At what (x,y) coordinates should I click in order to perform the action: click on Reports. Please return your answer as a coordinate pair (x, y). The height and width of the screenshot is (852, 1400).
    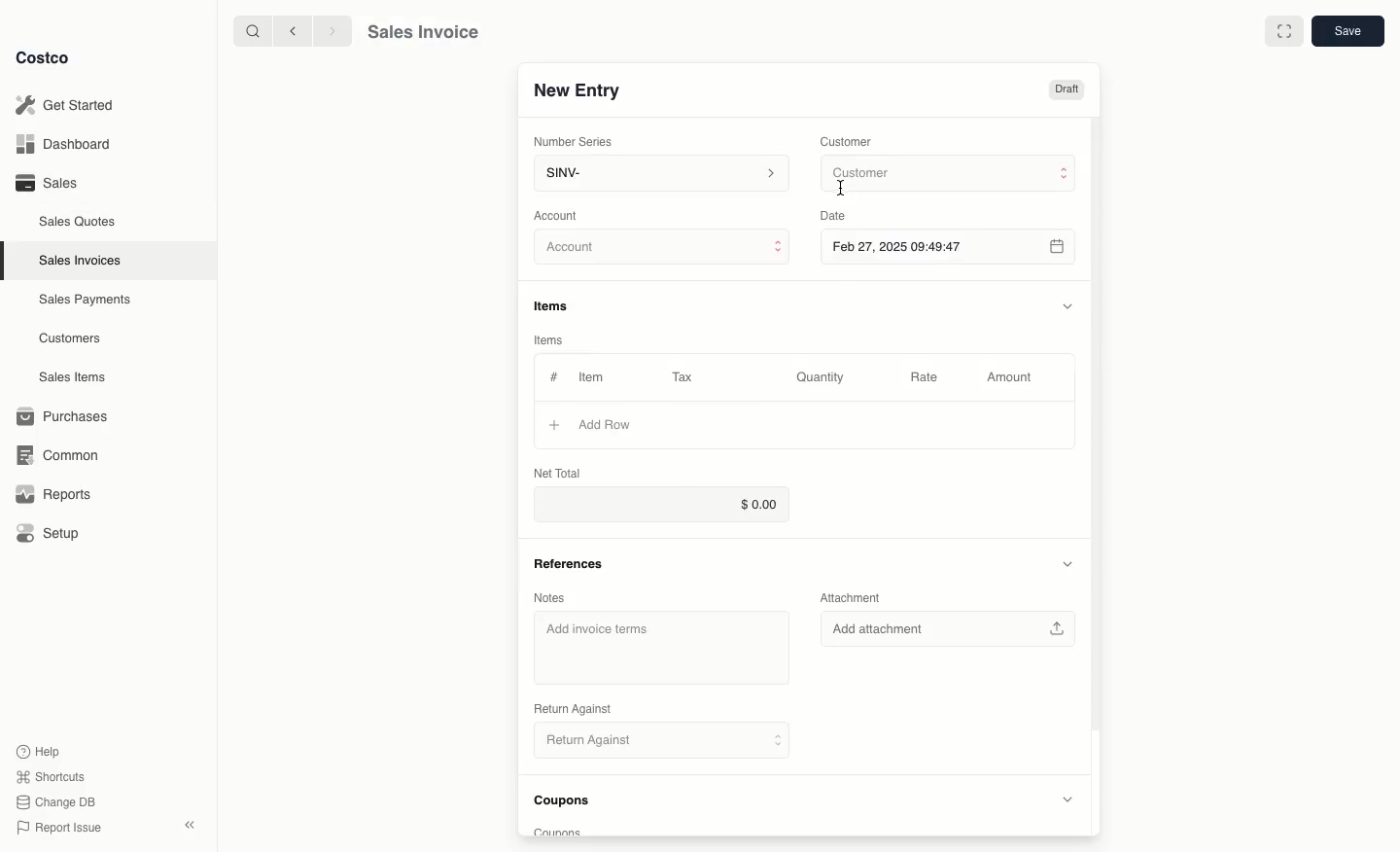
    Looking at the image, I should click on (51, 494).